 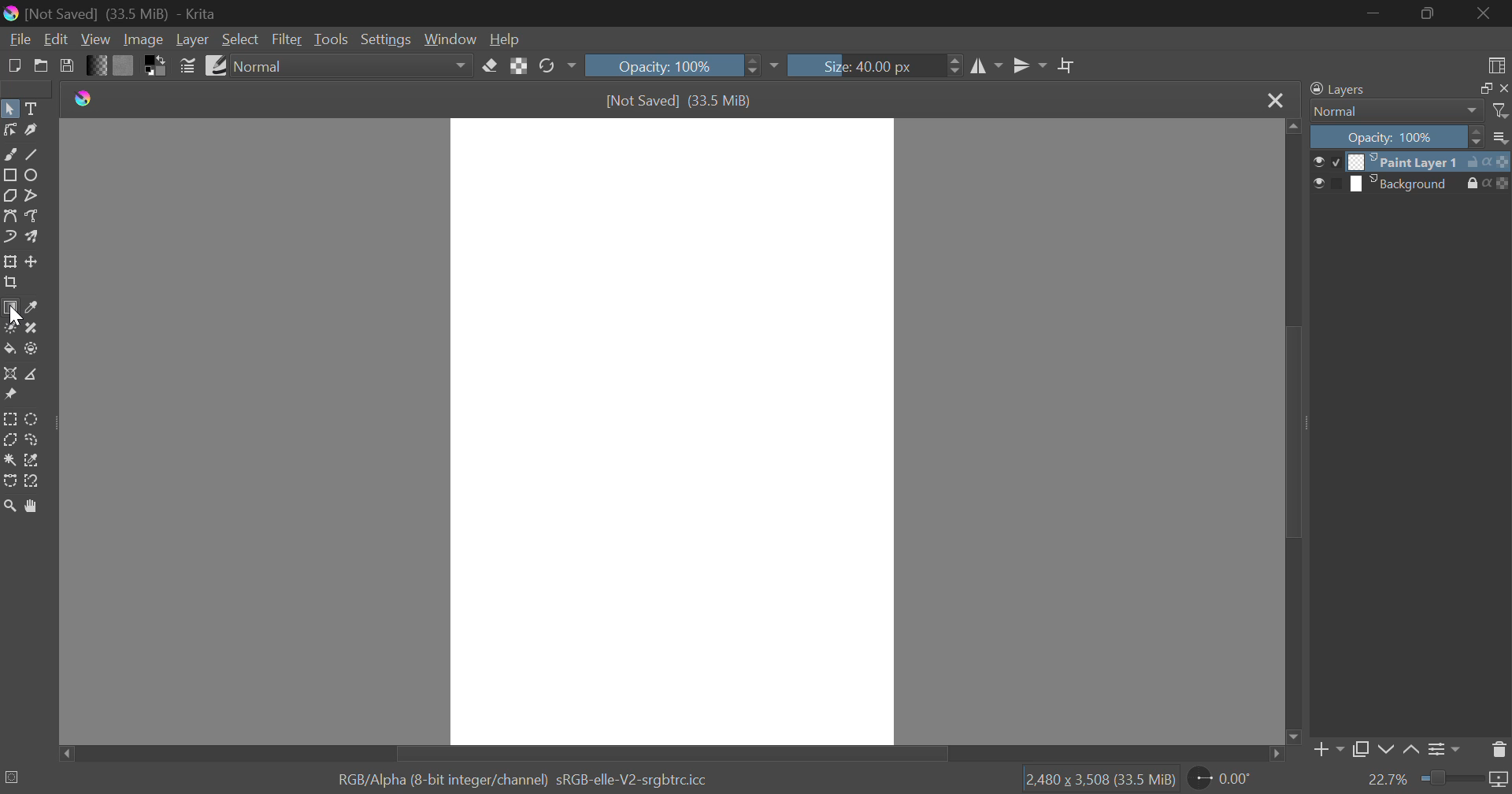 What do you see at coordinates (491, 64) in the screenshot?
I see `Eraser` at bounding box center [491, 64].